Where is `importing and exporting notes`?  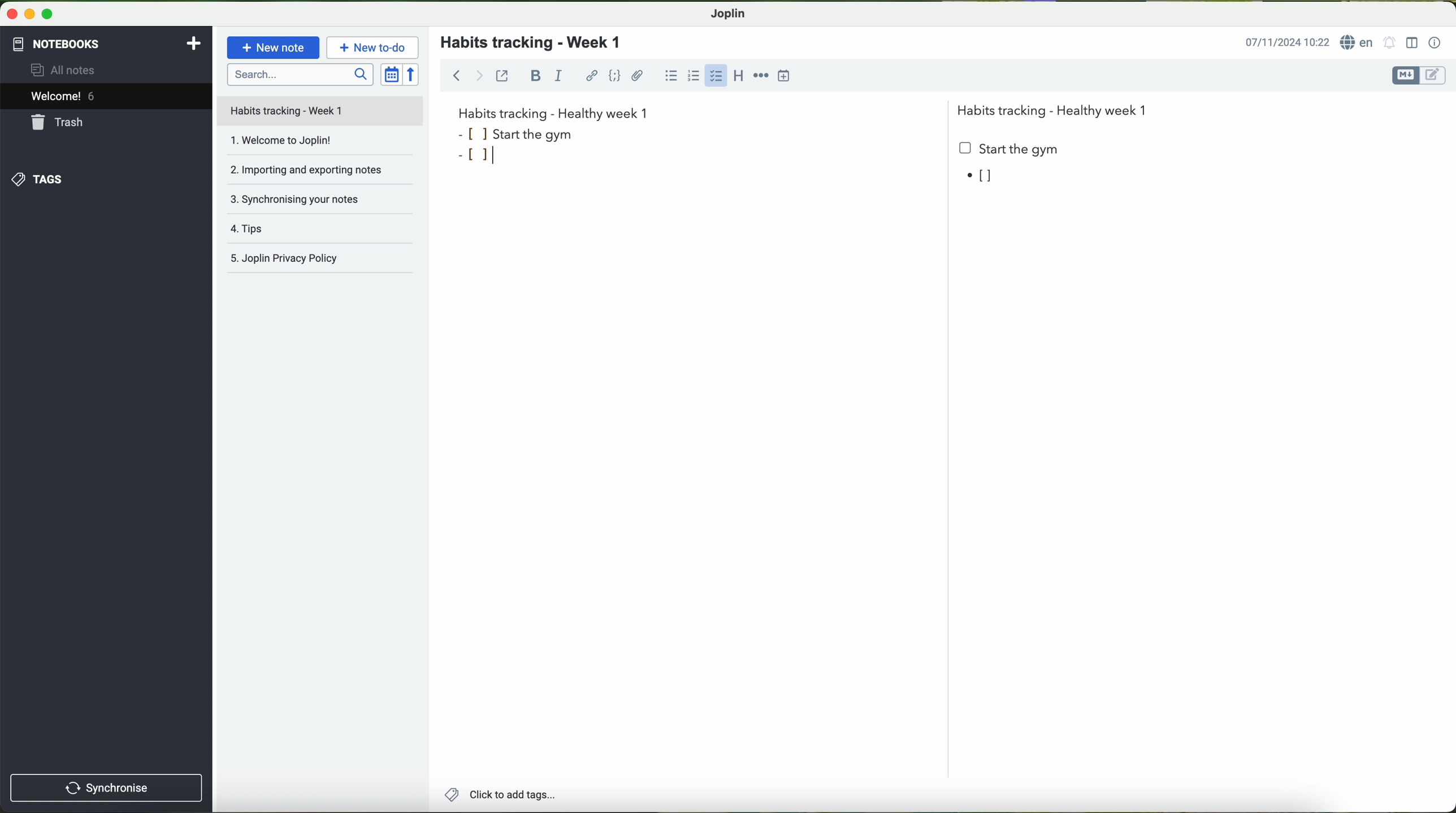
importing and exporting notes is located at coordinates (319, 174).